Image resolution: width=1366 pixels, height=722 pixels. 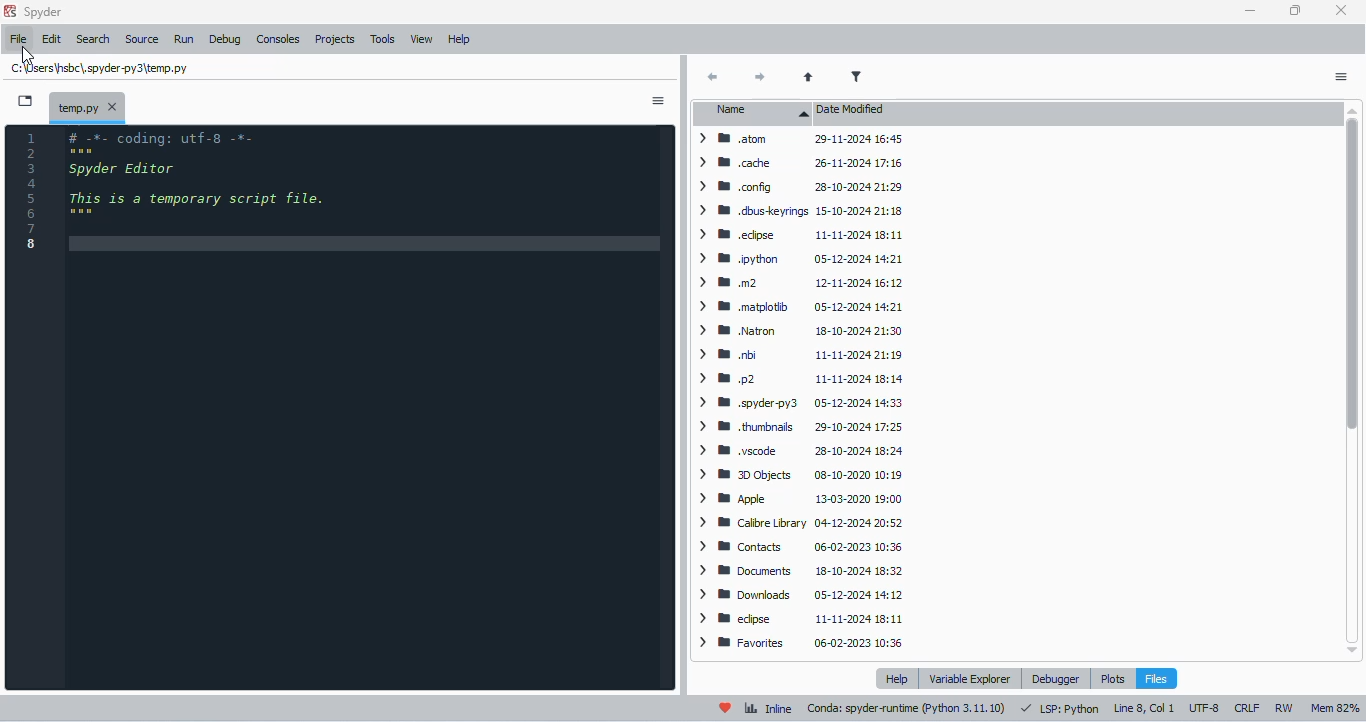 I want to click on temporary file, so click(x=100, y=68).